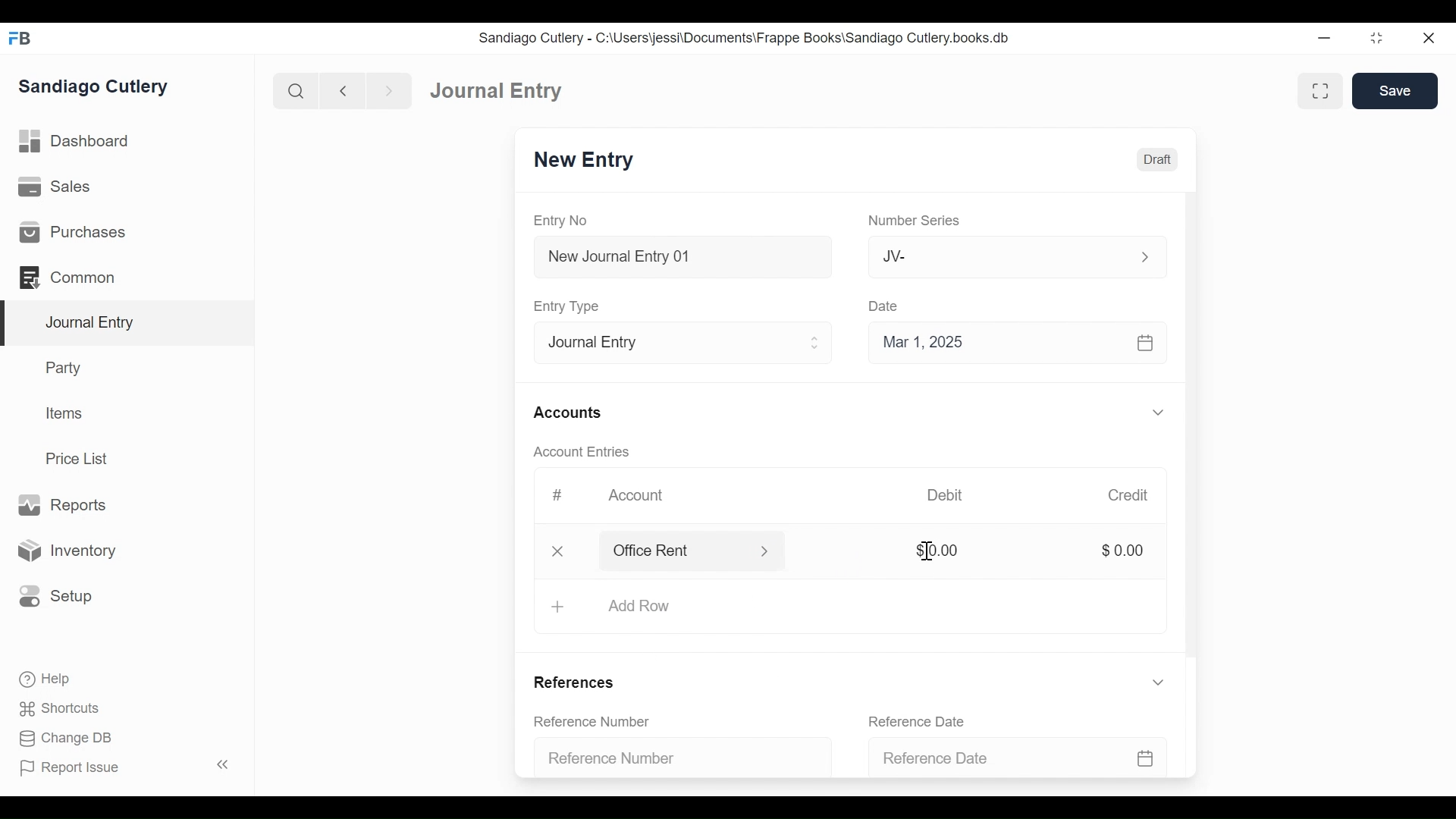 The image size is (1456, 819). What do you see at coordinates (127, 231) in the screenshot?
I see `Purchases` at bounding box center [127, 231].